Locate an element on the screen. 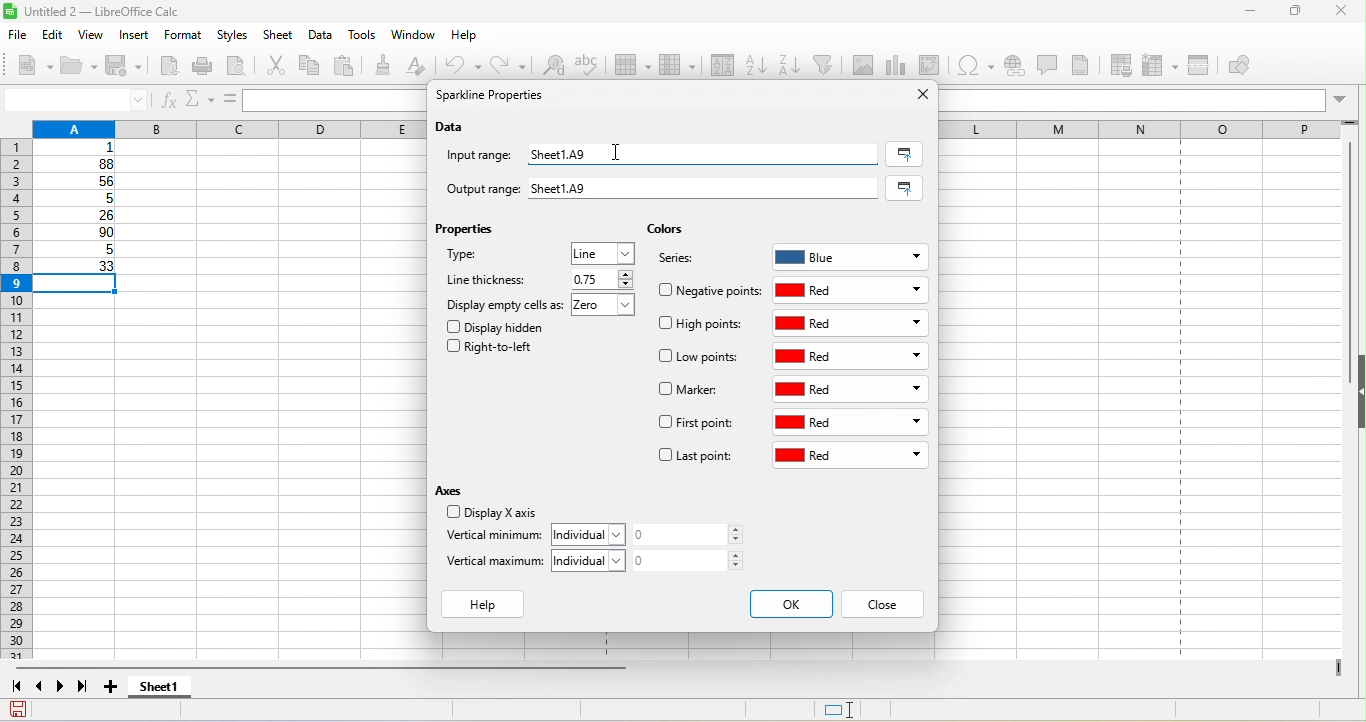 The image size is (1366, 722). series is located at coordinates (686, 261).